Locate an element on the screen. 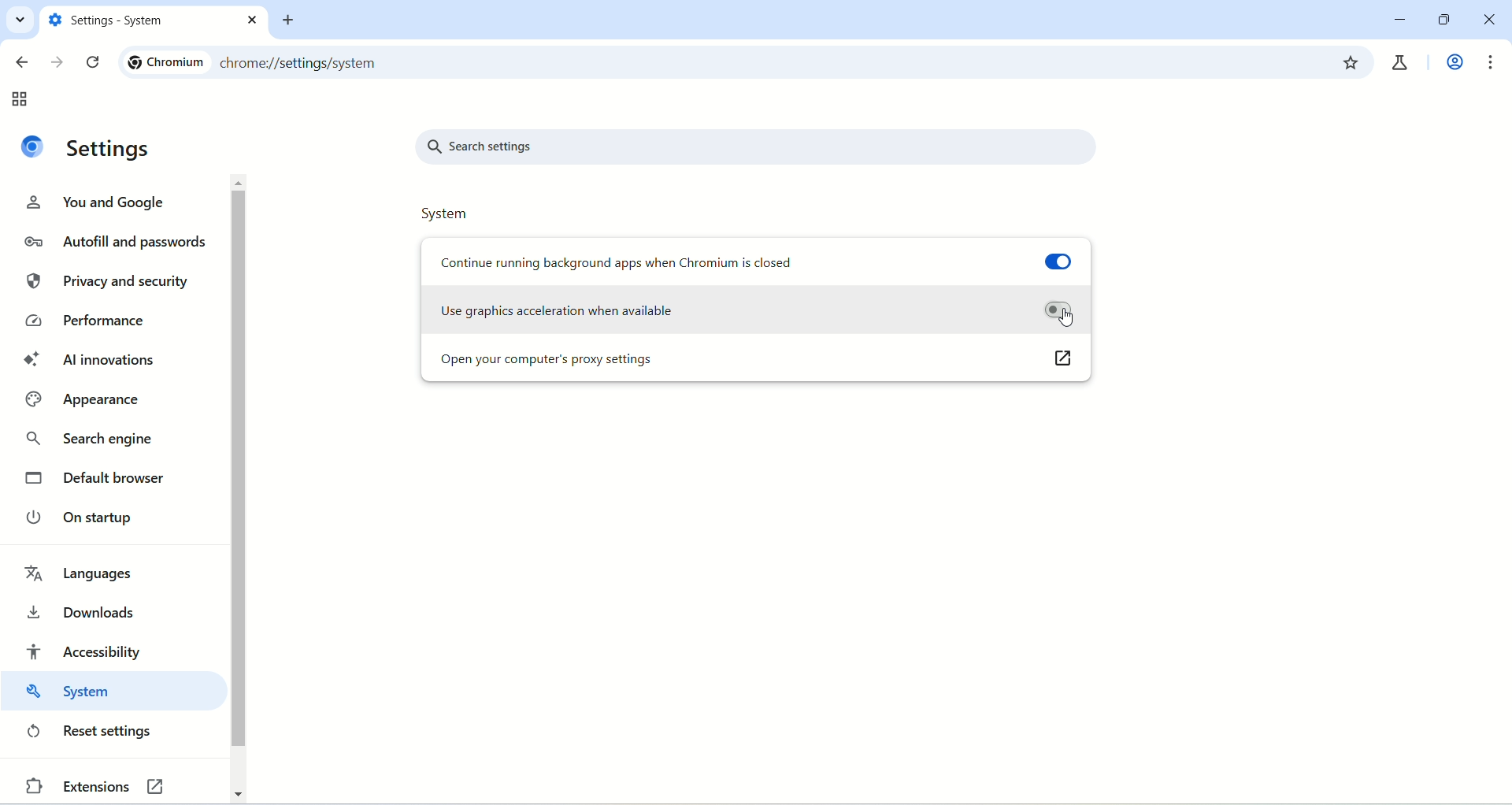 This screenshot has width=1512, height=805. chrome labs is located at coordinates (1403, 60).